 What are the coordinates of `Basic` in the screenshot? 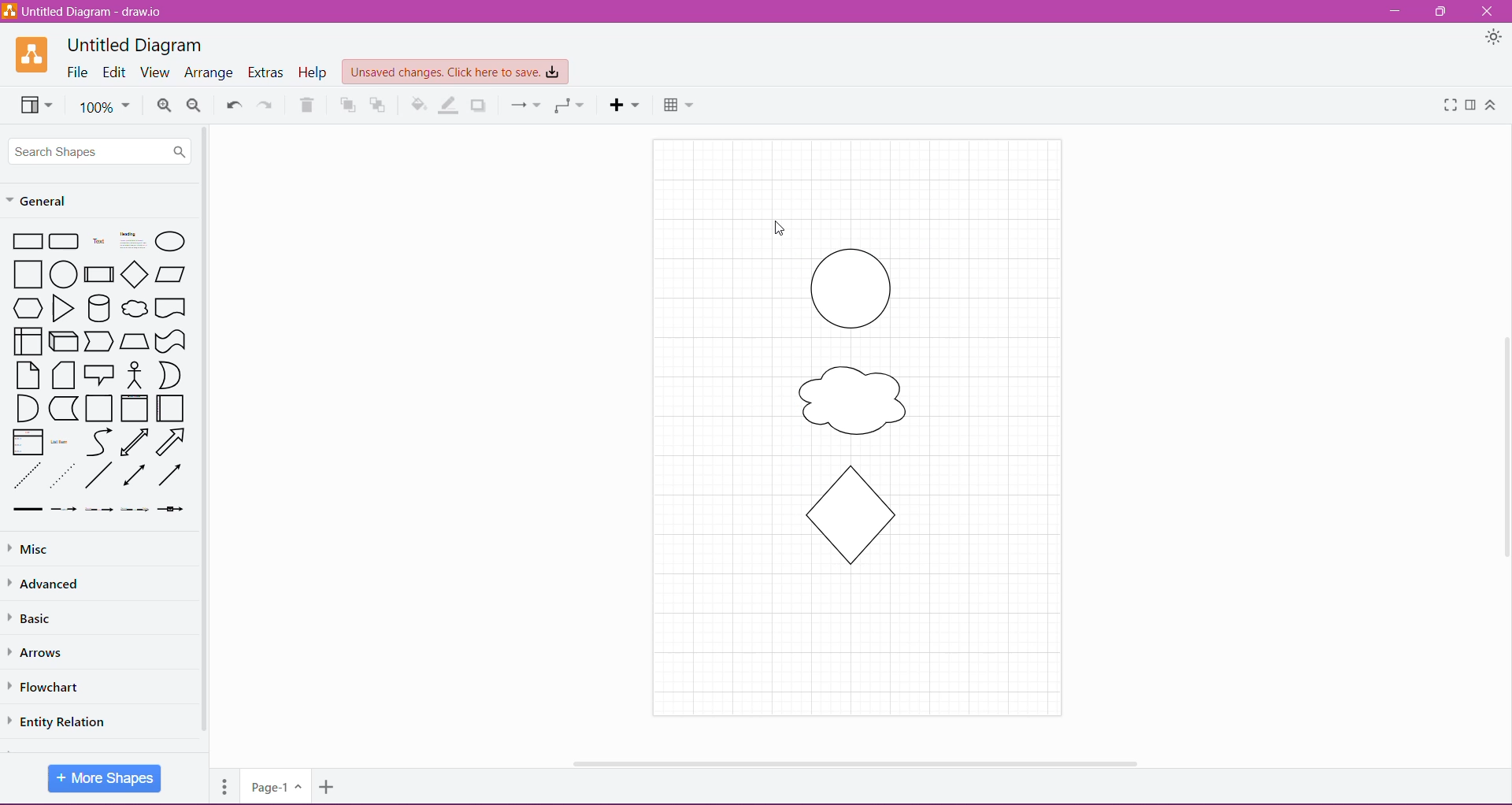 It's located at (39, 618).